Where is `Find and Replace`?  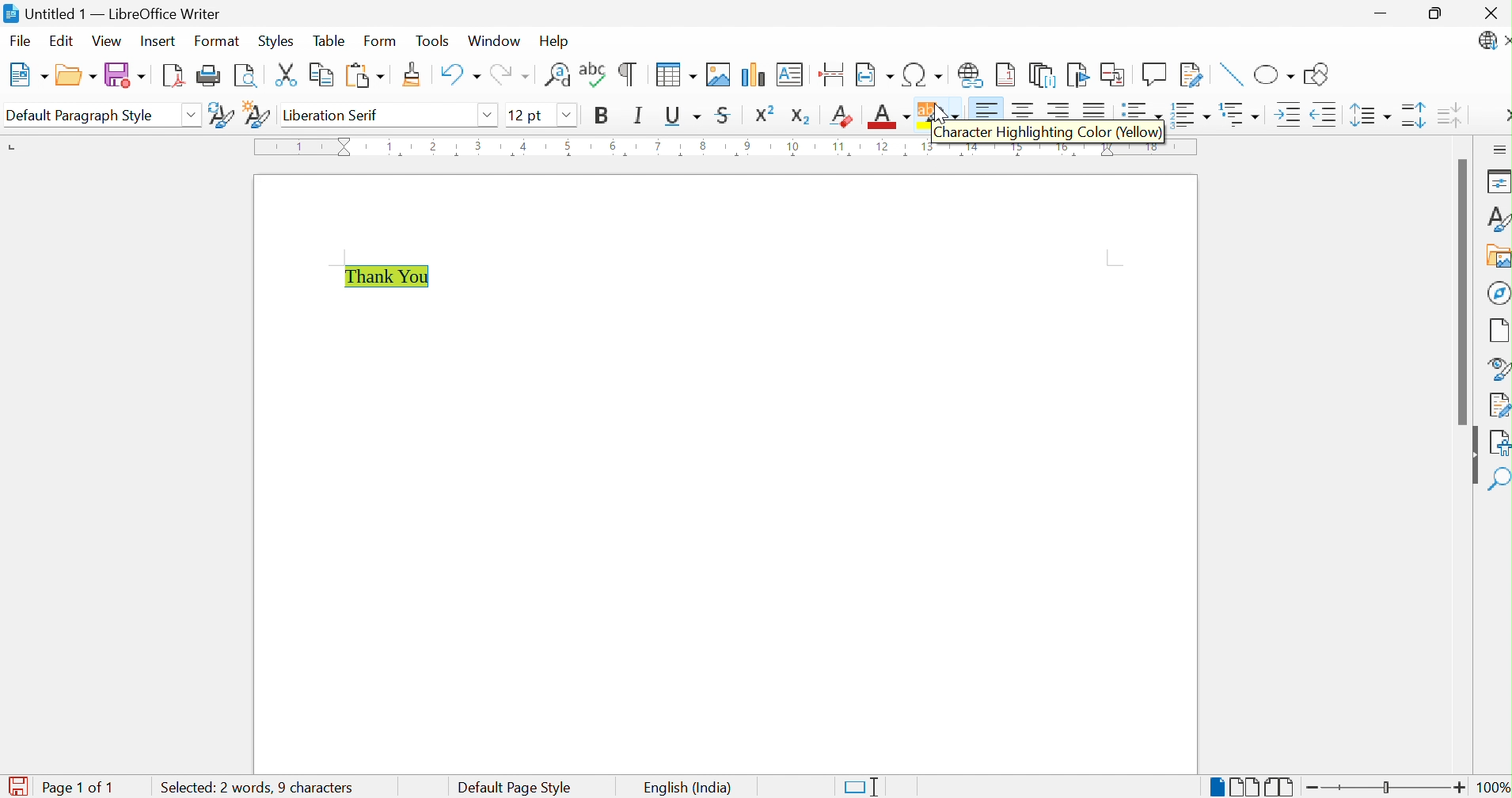 Find and Replace is located at coordinates (557, 75).